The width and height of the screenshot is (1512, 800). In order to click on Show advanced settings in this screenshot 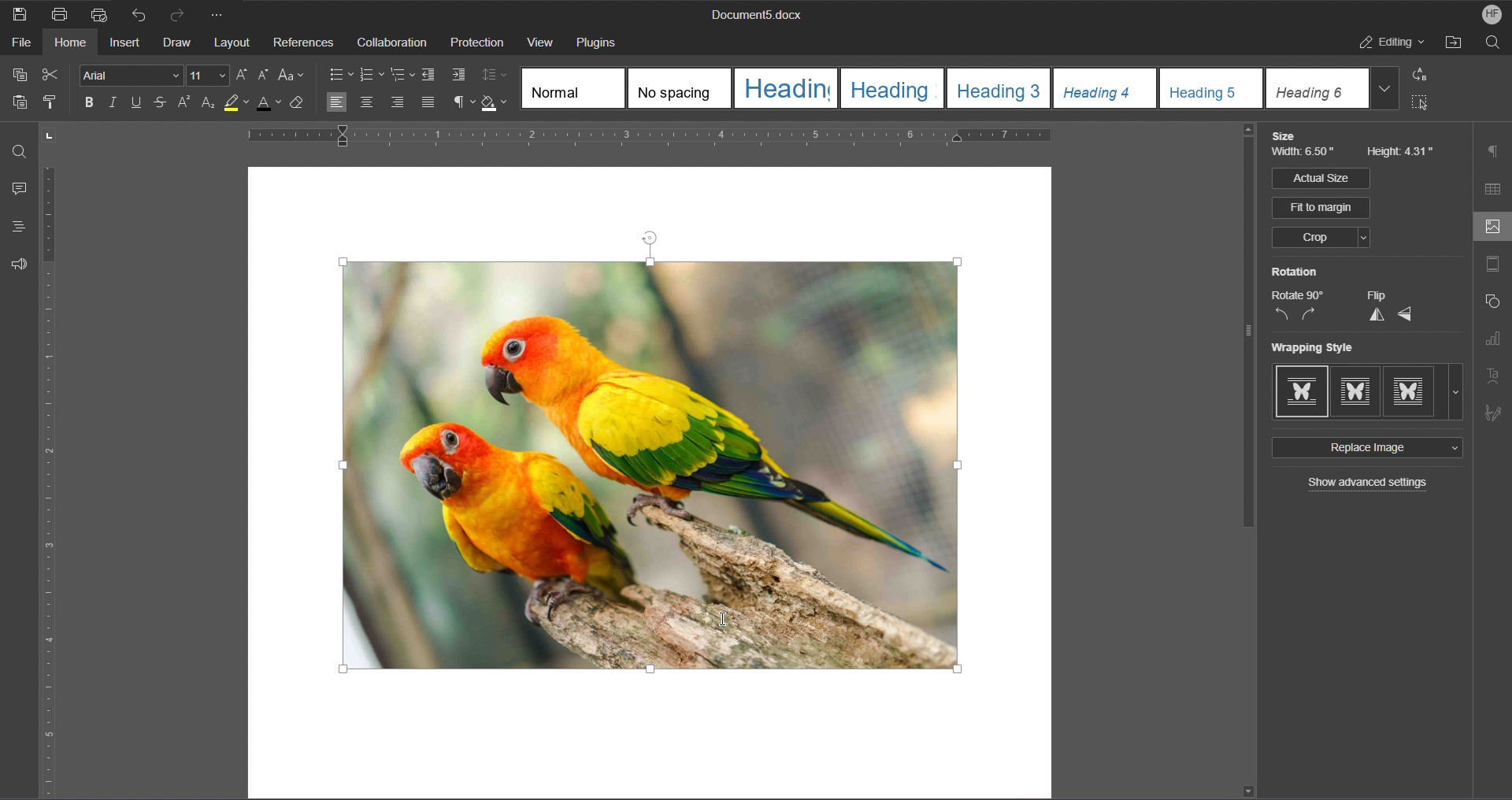, I will do `click(1369, 484)`.